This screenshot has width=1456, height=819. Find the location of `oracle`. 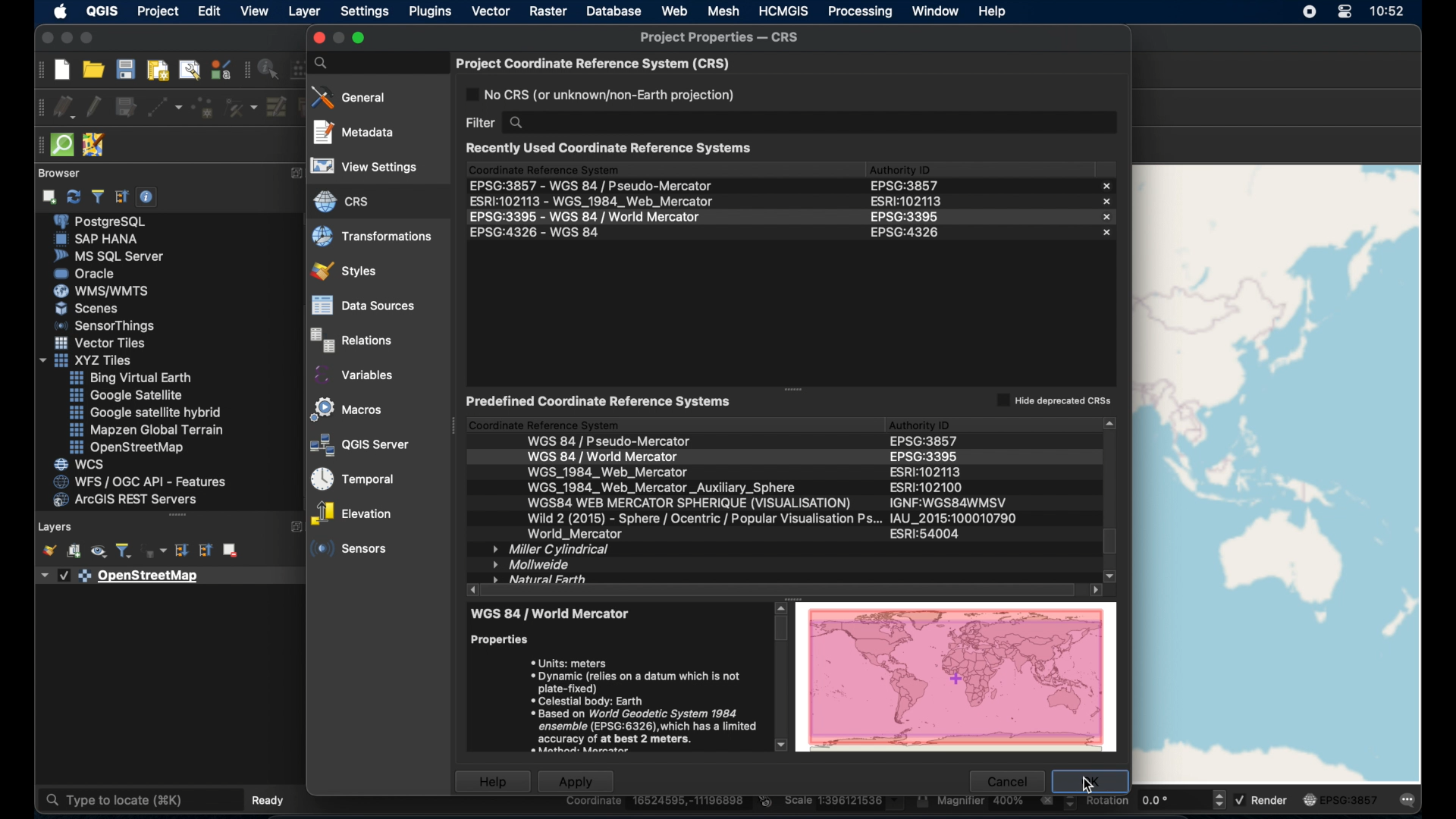

oracle is located at coordinates (87, 274).